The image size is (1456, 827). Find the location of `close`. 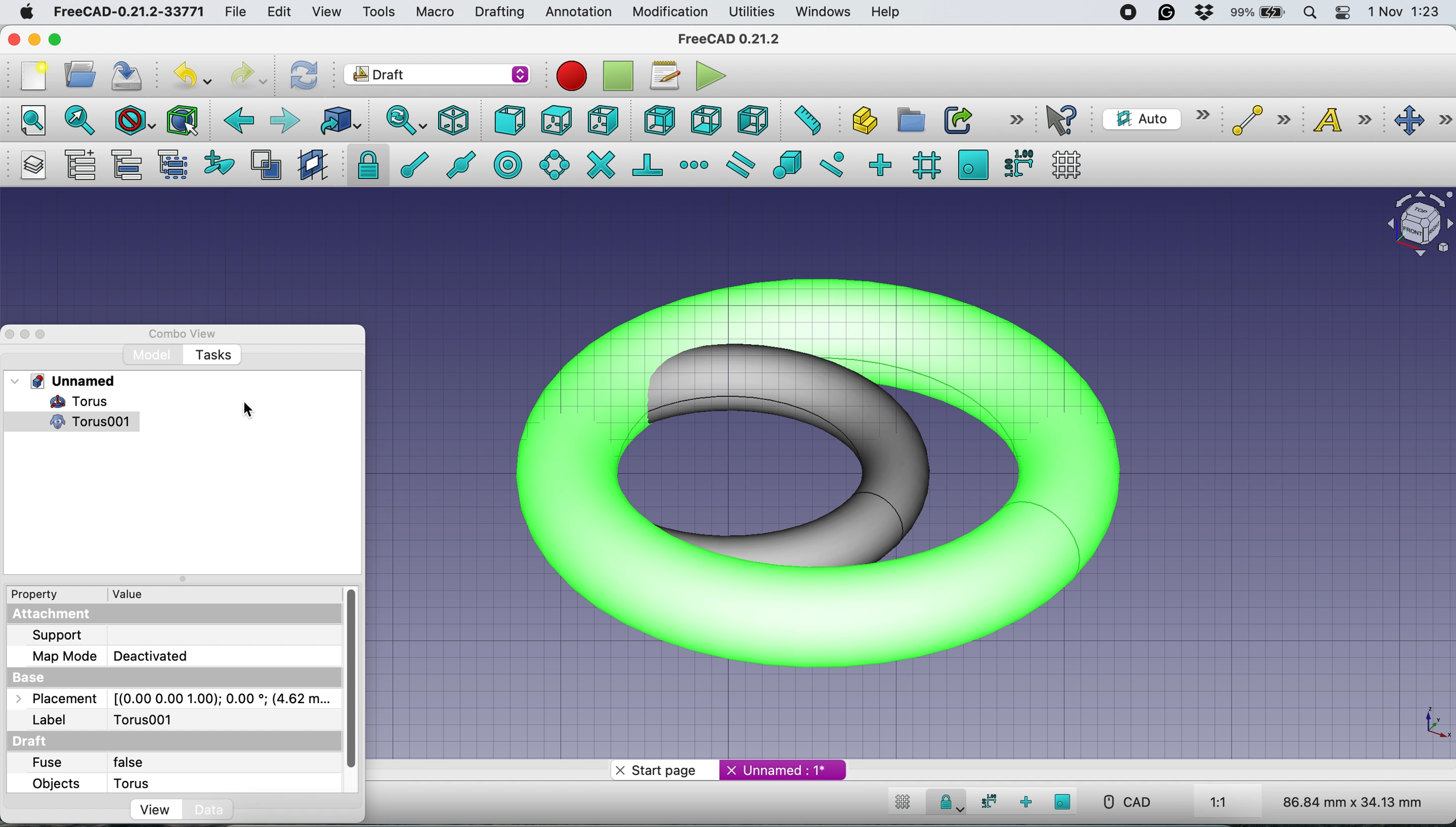

close is located at coordinates (12, 39).